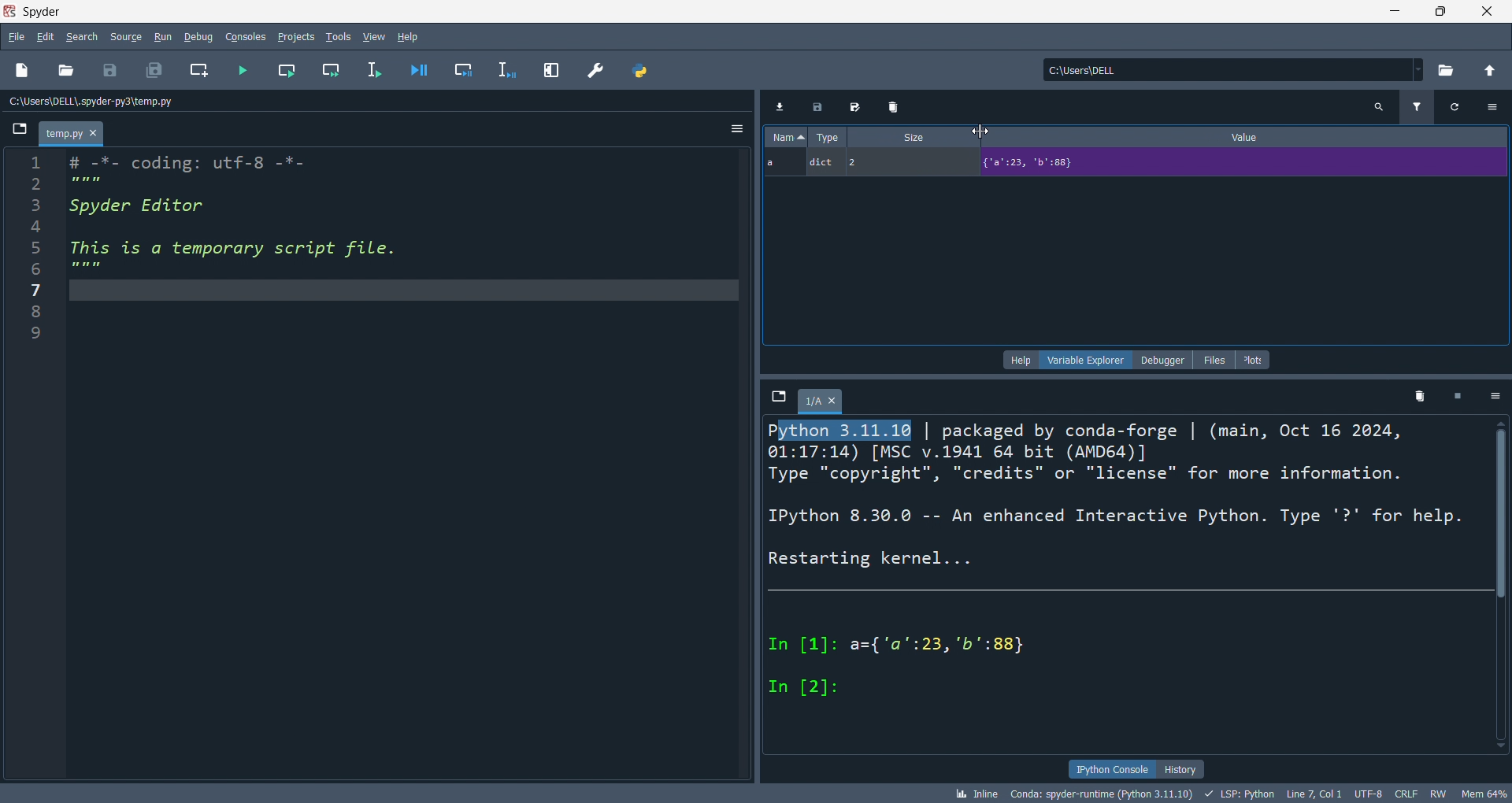 This screenshot has width=1512, height=803. I want to click on variable explorer pane, so click(1138, 261).